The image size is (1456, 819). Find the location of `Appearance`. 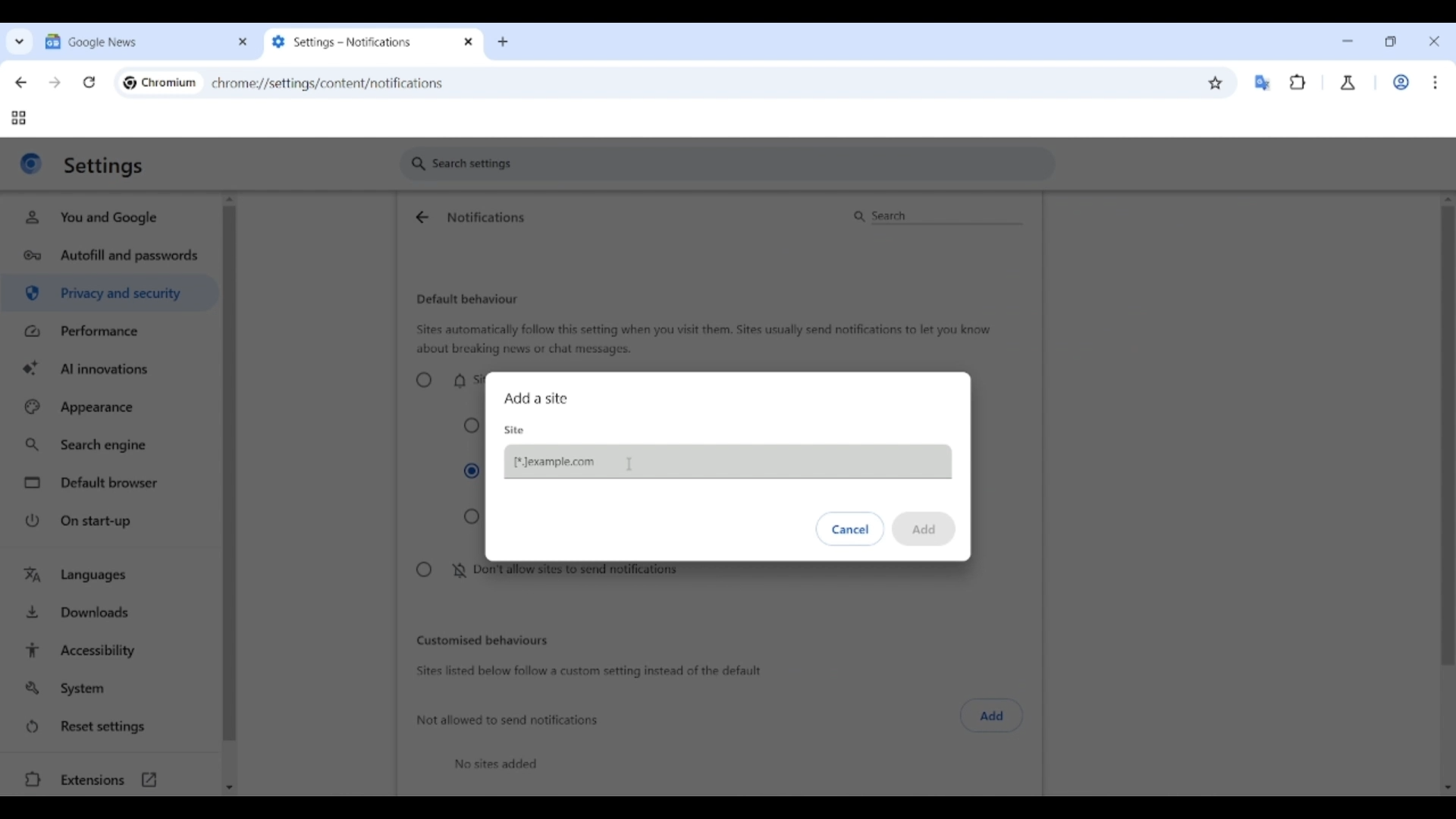

Appearance is located at coordinates (110, 407).